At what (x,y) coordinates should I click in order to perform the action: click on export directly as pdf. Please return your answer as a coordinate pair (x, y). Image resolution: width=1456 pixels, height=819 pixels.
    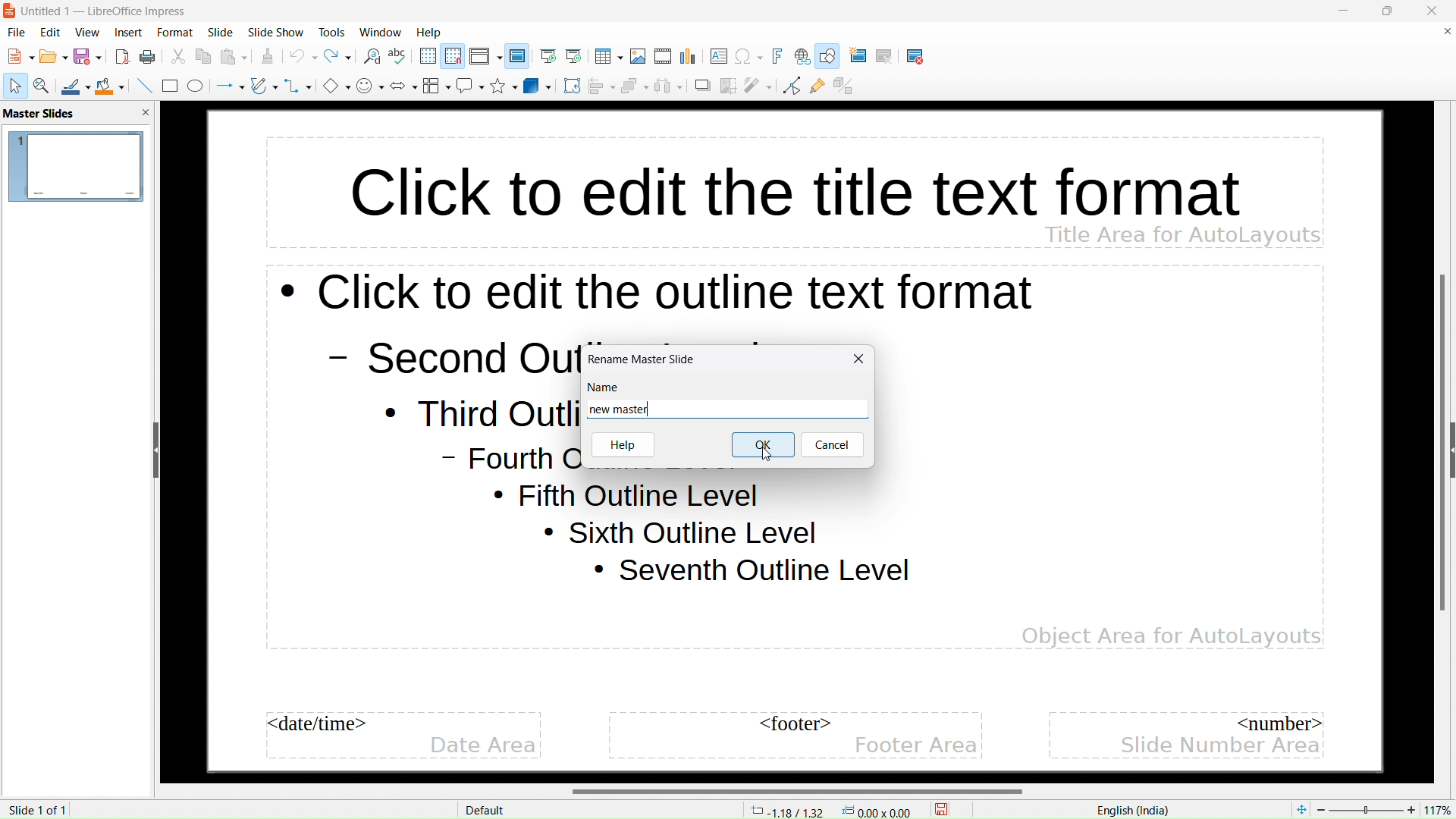
    Looking at the image, I should click on (123, 58).